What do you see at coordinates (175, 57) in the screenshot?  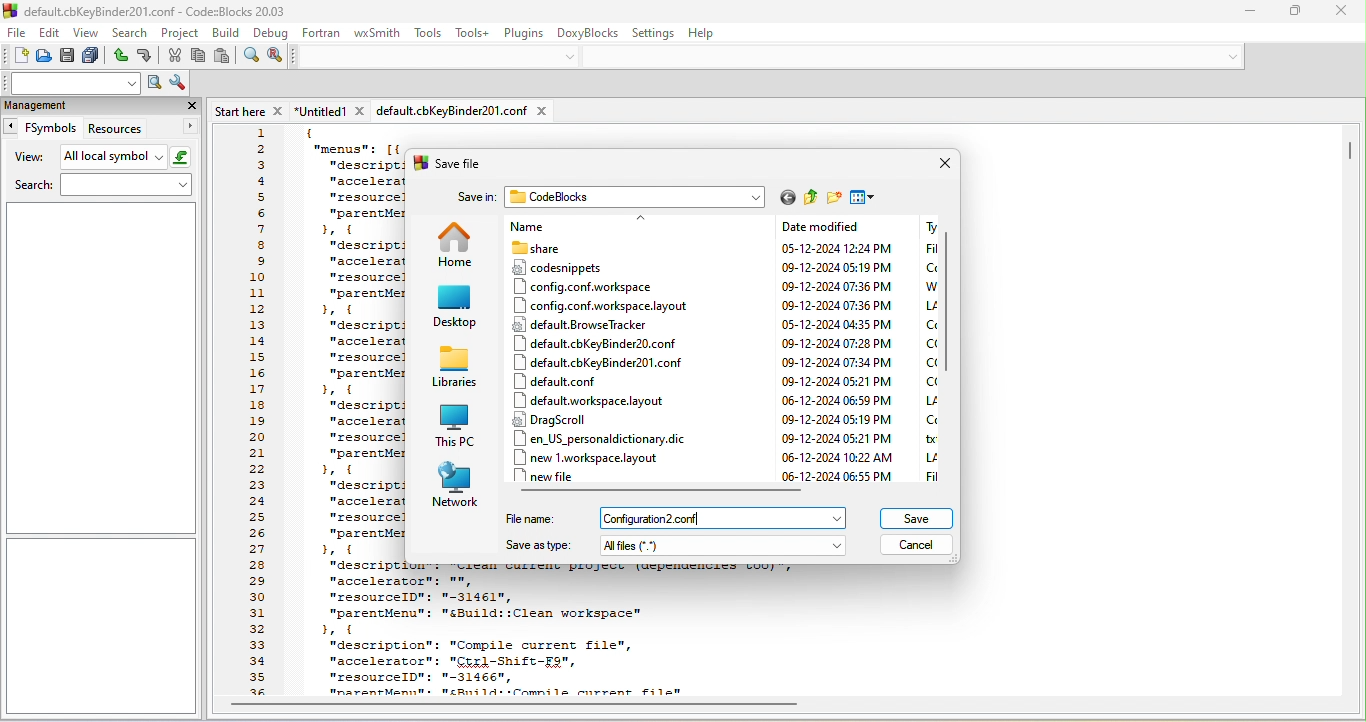 I see `cut` at bounding box center [175, 57].